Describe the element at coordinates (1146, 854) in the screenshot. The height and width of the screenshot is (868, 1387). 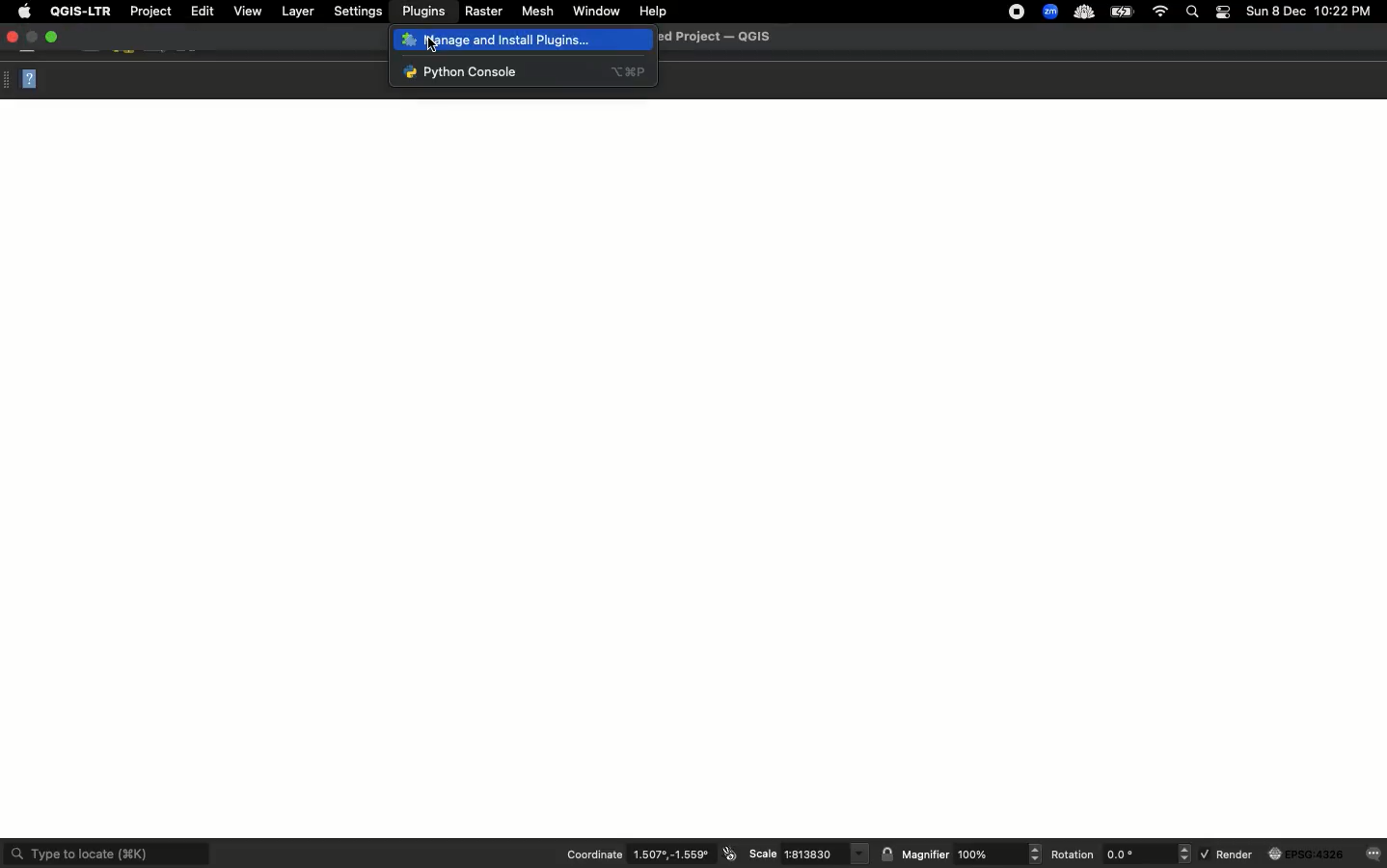
I see `Rotation` at that location.